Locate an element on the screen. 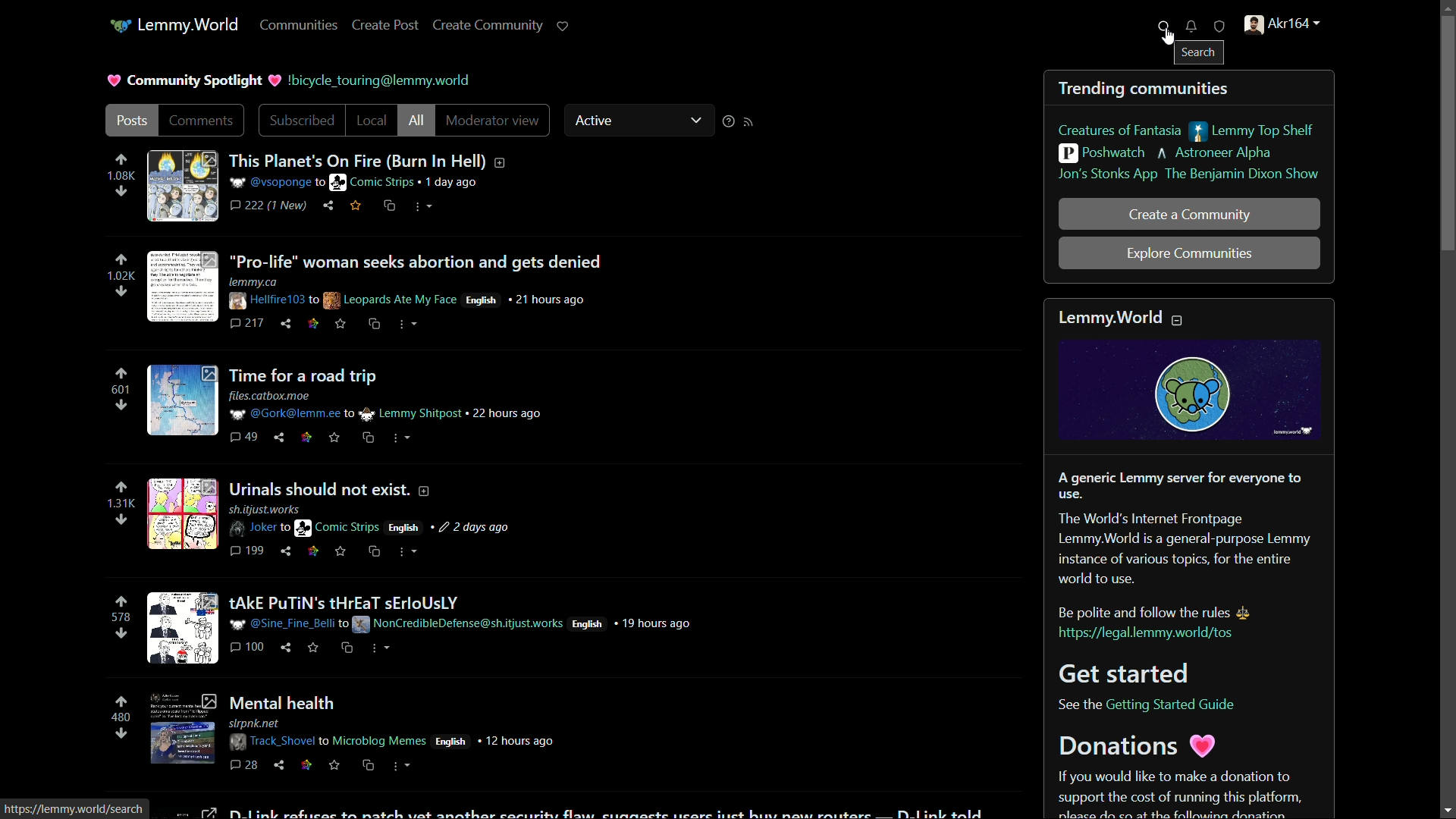  astroneer alpha is located at coordinates (1219, 155).